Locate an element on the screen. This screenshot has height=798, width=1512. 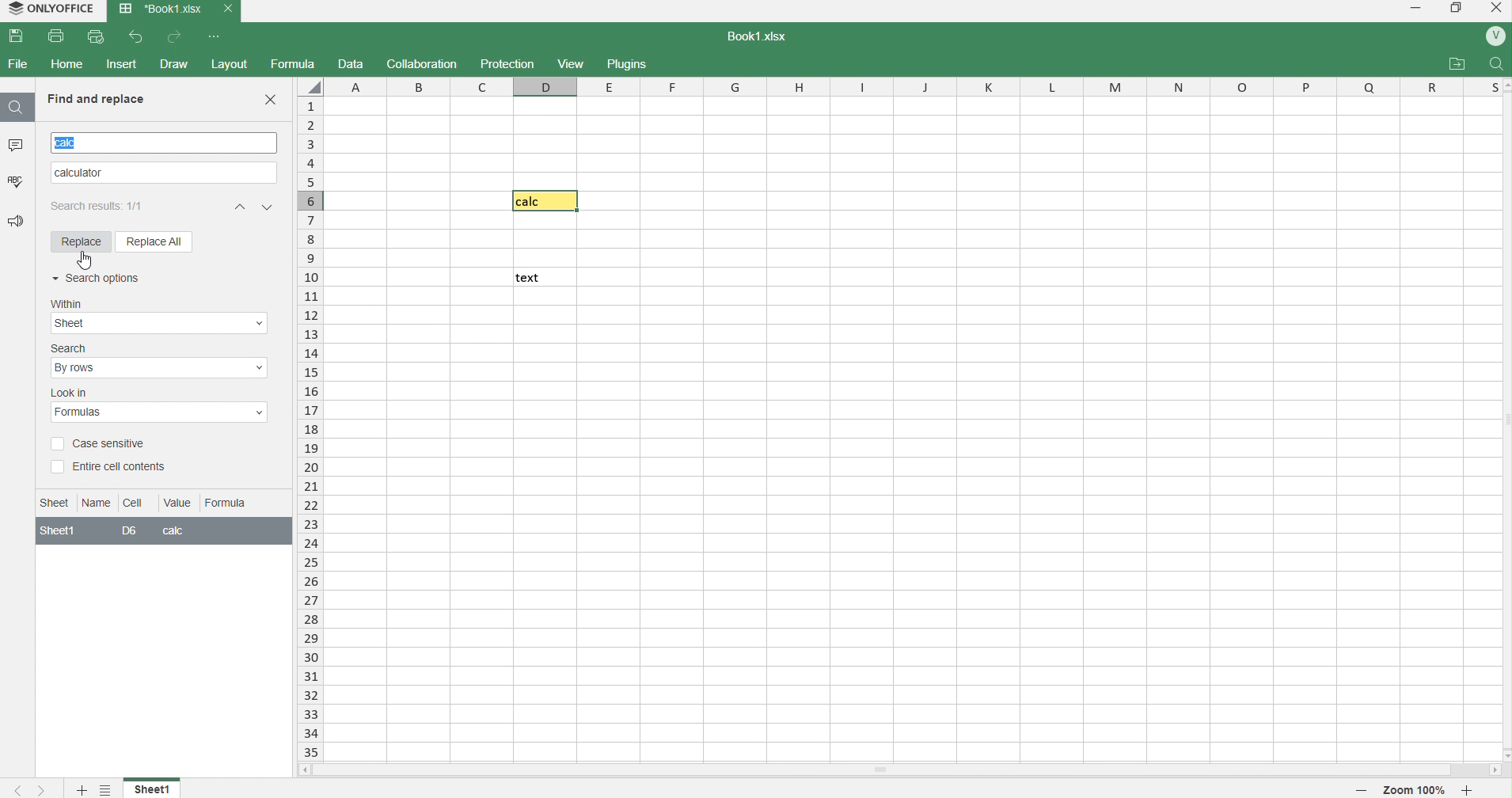
undo is located at coordinates (141, 38).